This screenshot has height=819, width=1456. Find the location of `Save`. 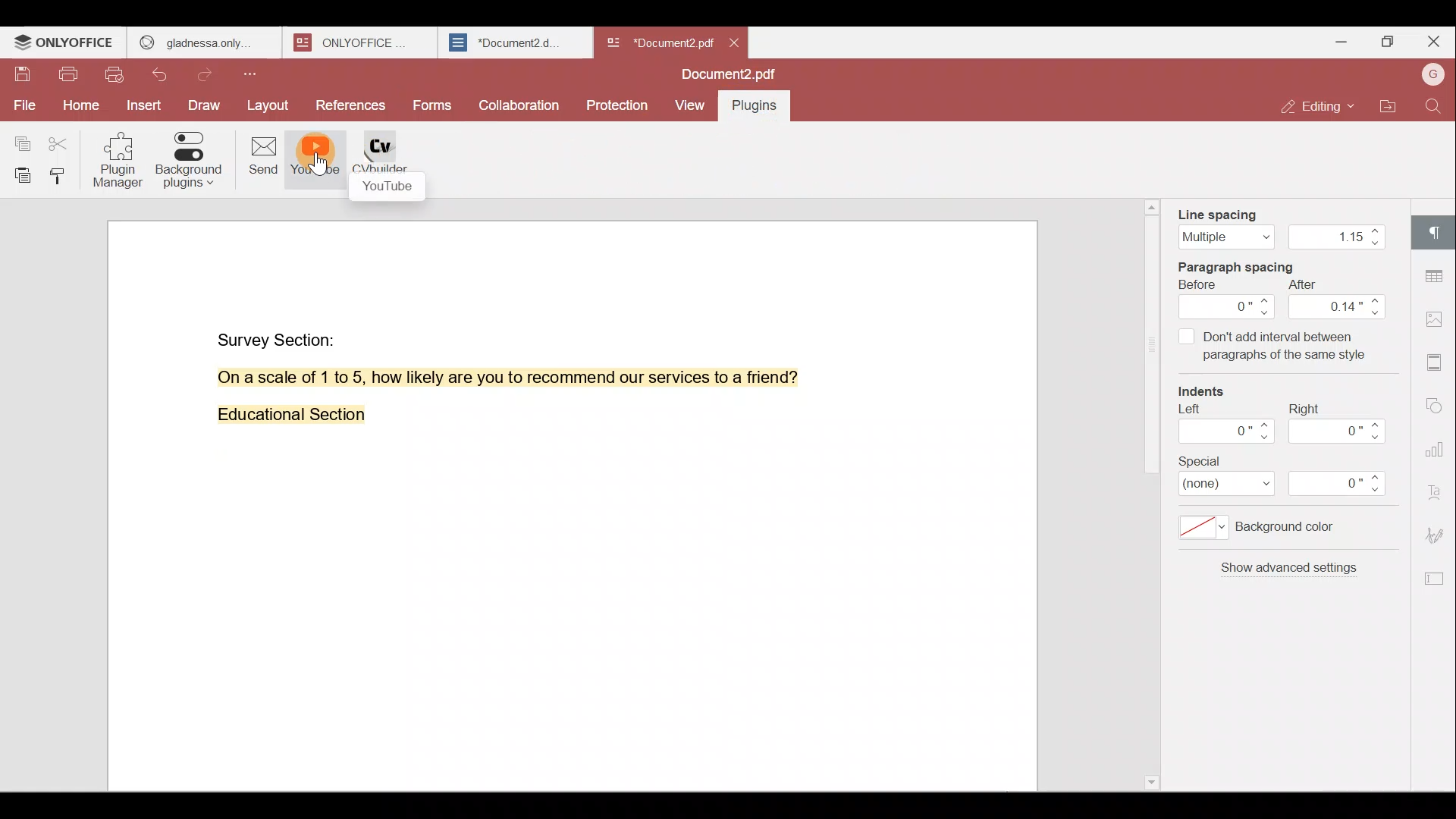

Save is located at coordinates (22, 78).